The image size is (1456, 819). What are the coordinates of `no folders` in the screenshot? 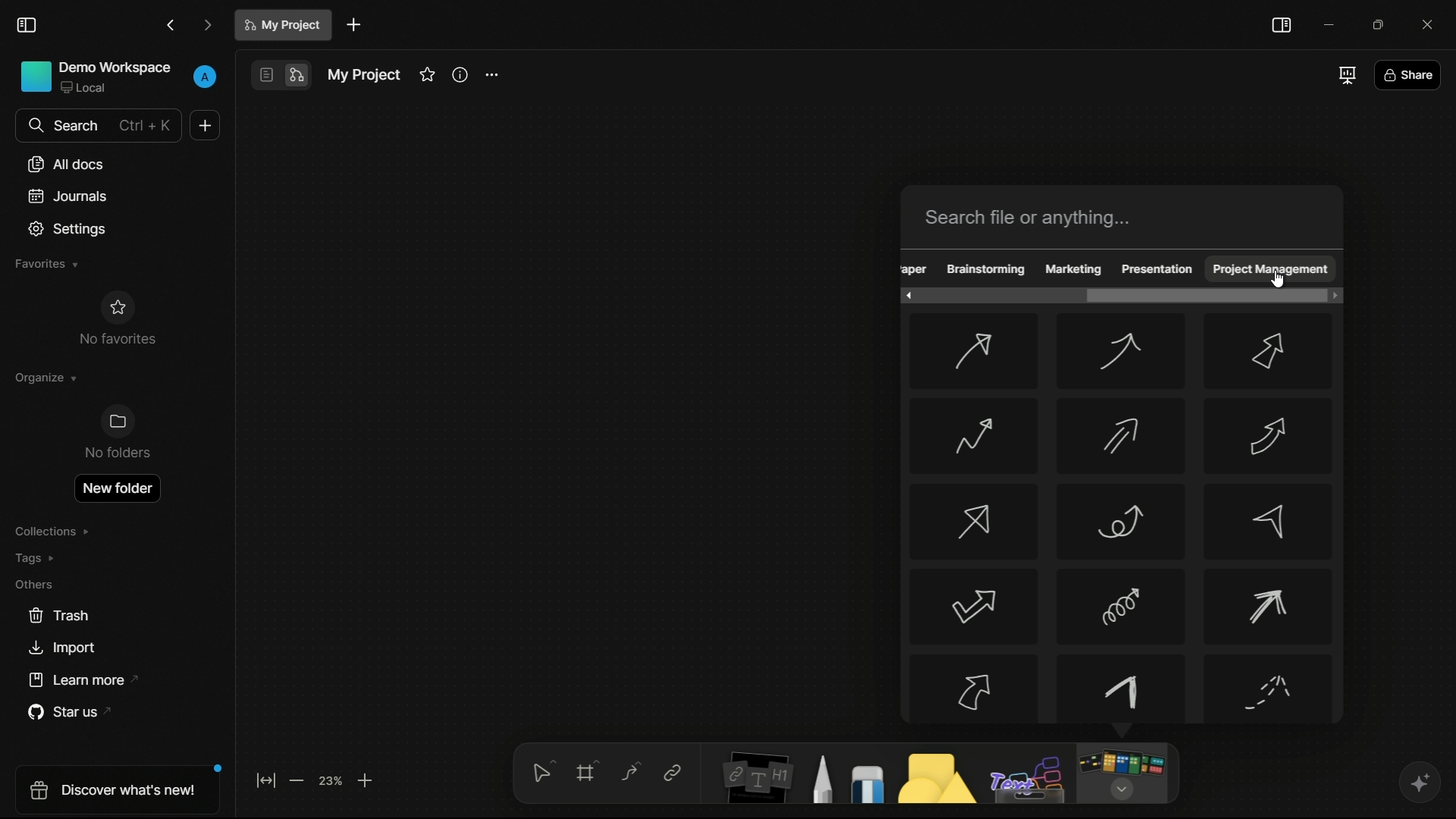 It's located at (116, 432).